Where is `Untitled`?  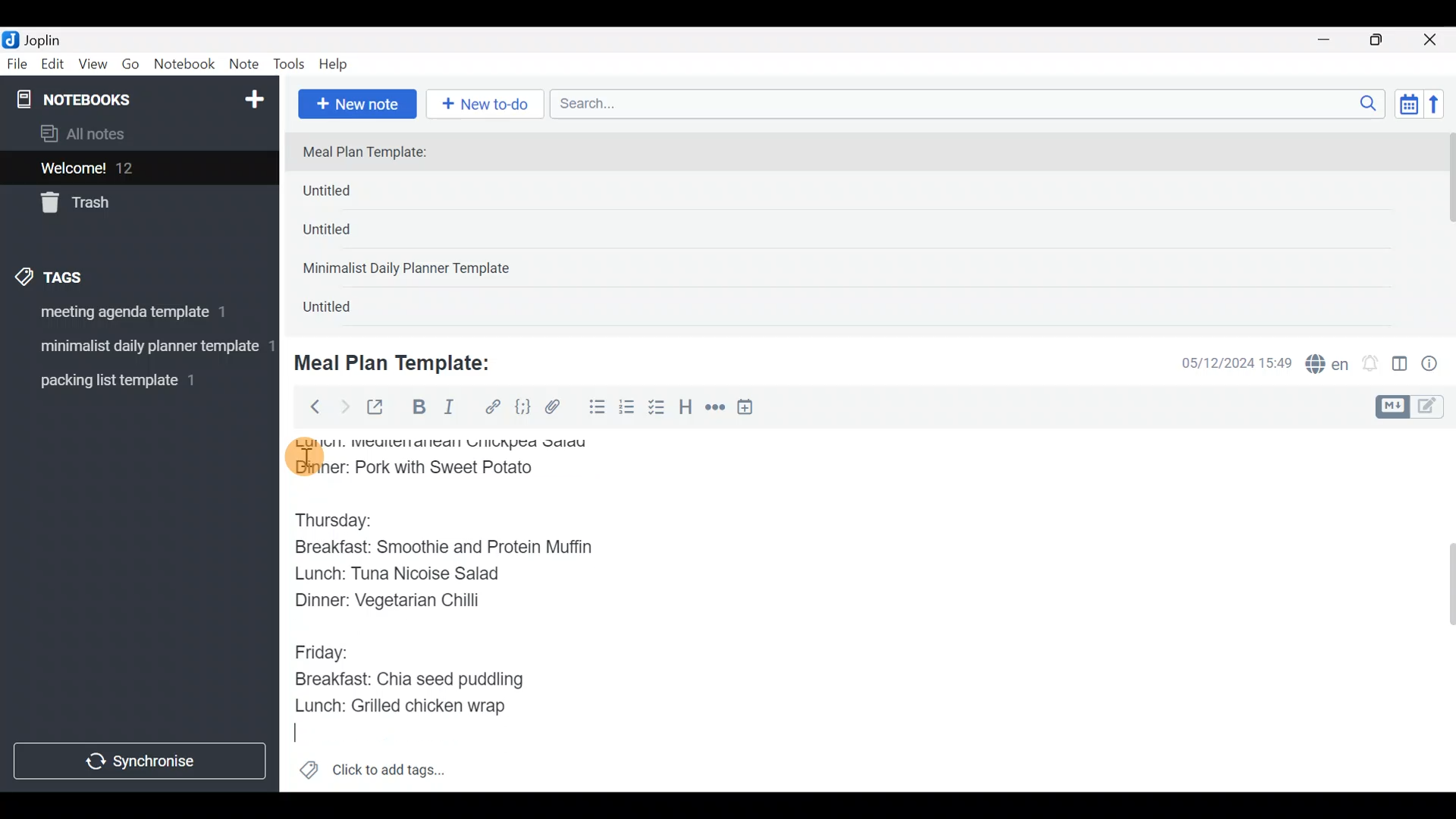
Untitled is located at coordinates (344, 310).